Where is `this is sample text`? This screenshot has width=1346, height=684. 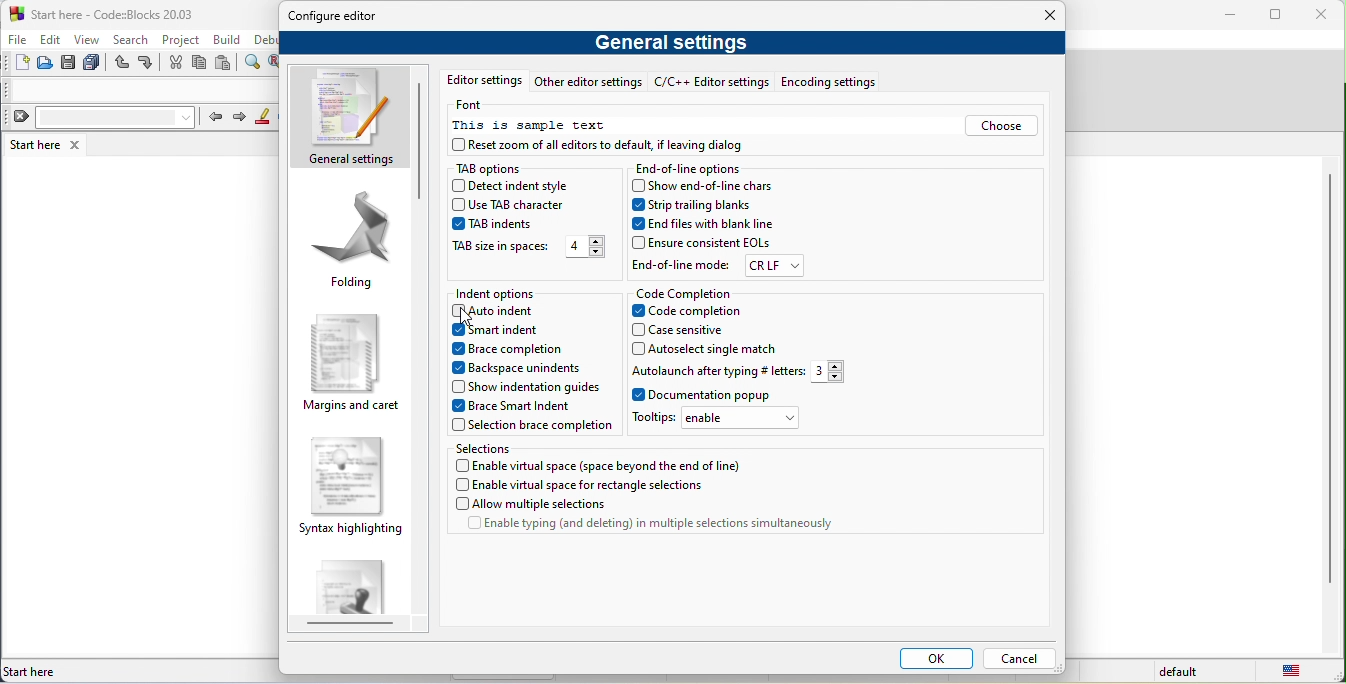
this is sample text is located at coordinates (543, 127).